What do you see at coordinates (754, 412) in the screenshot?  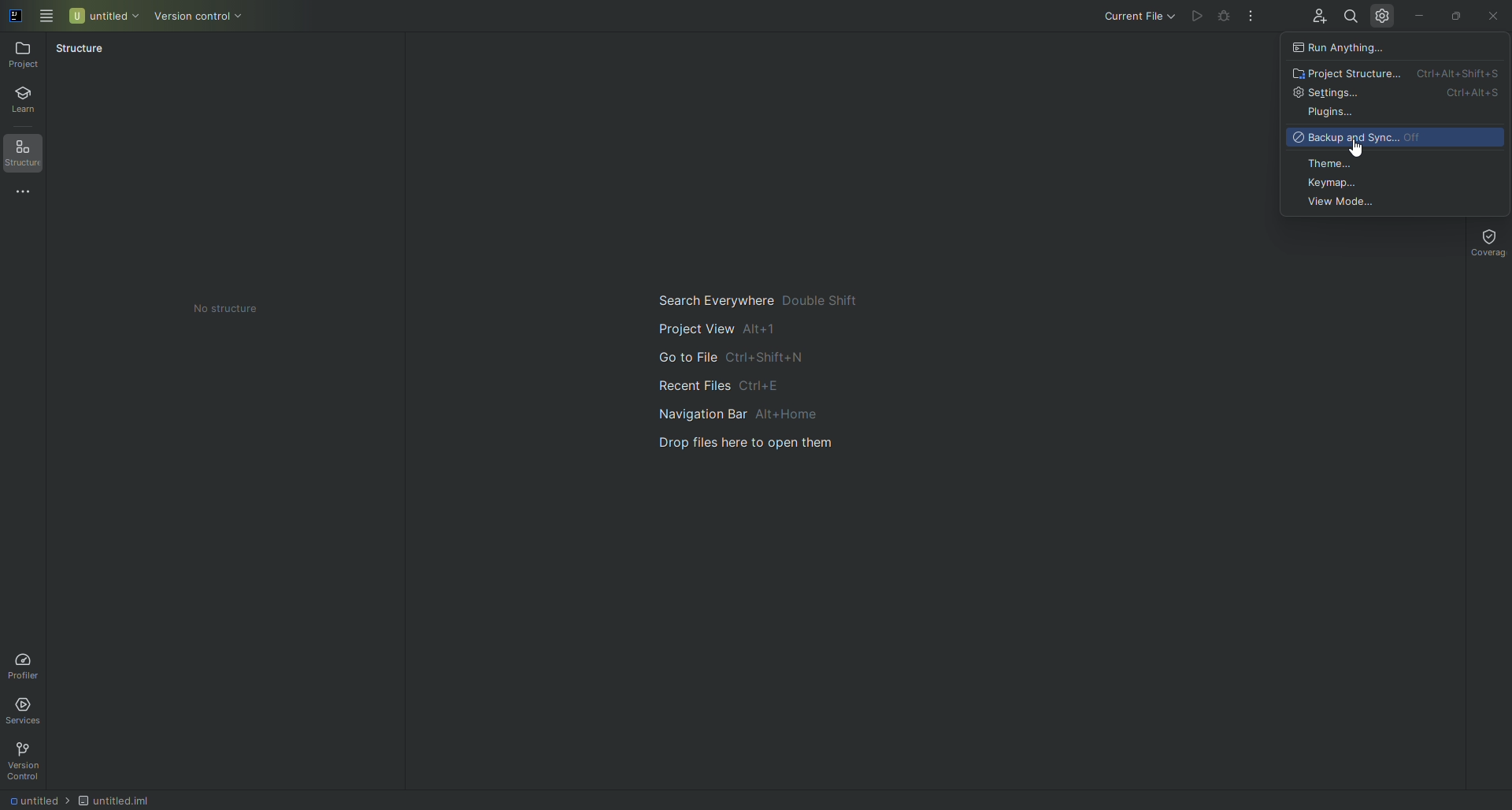 I see `Navigation Bar ` at bounding box center [754, 412].